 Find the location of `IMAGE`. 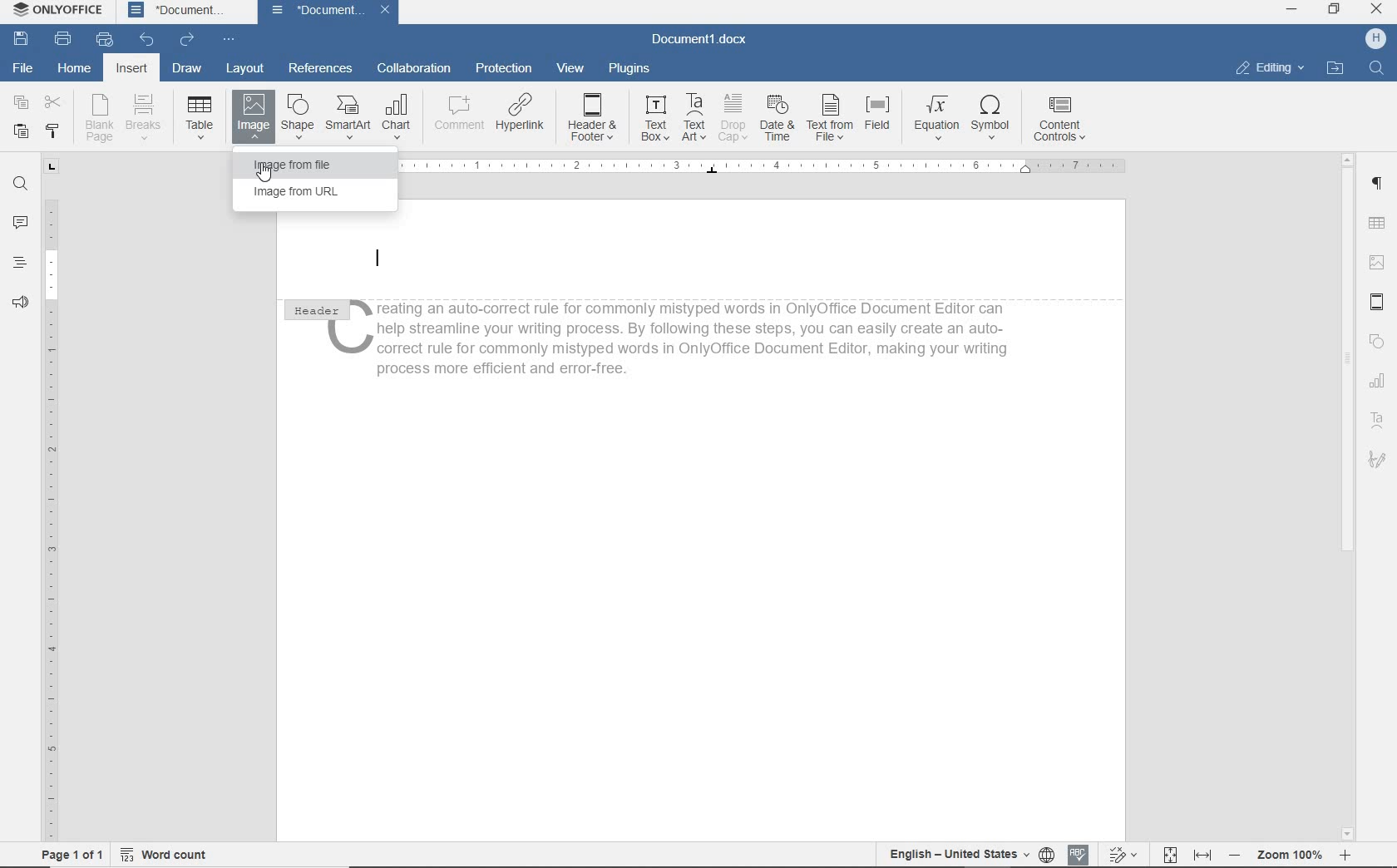

IMAGE is located at coordinates (255, 117).